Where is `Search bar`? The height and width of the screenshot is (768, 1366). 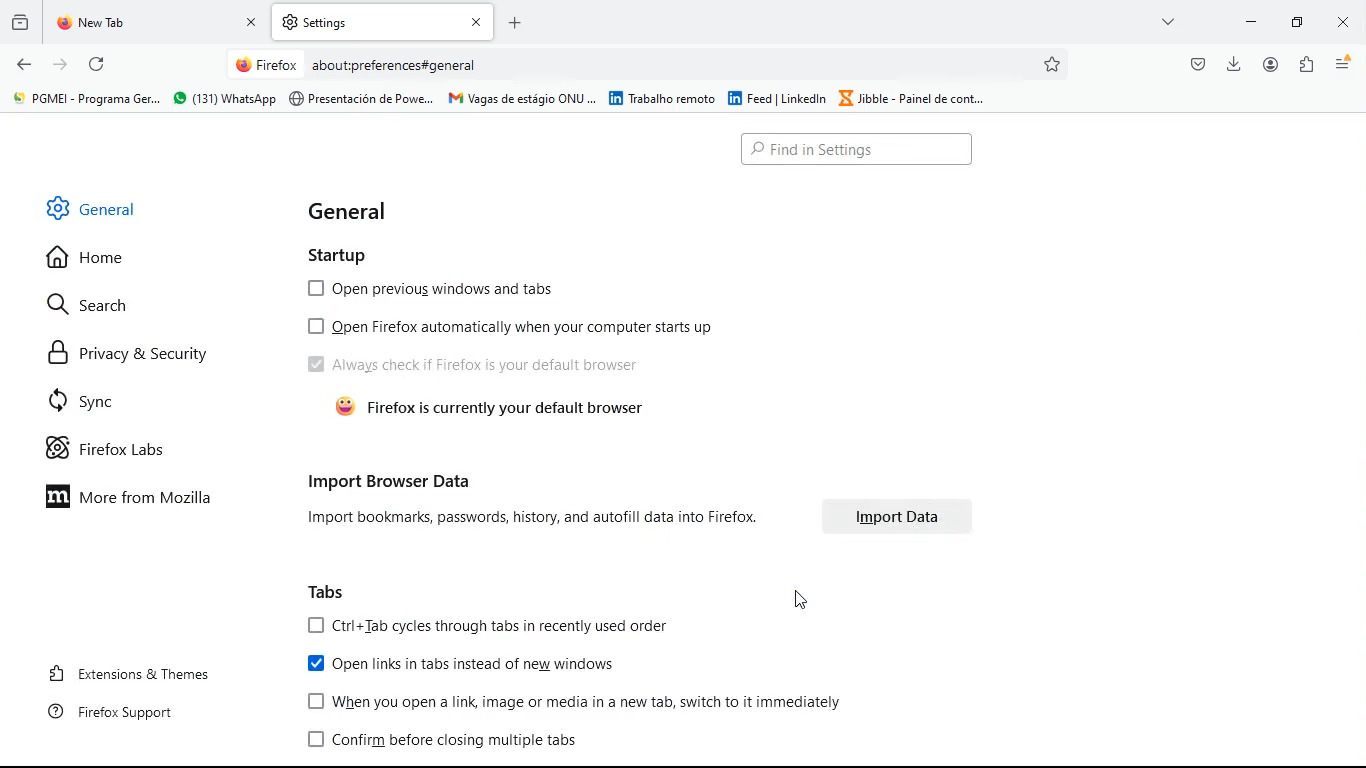 Search bar is located at coordinates (649, 66).